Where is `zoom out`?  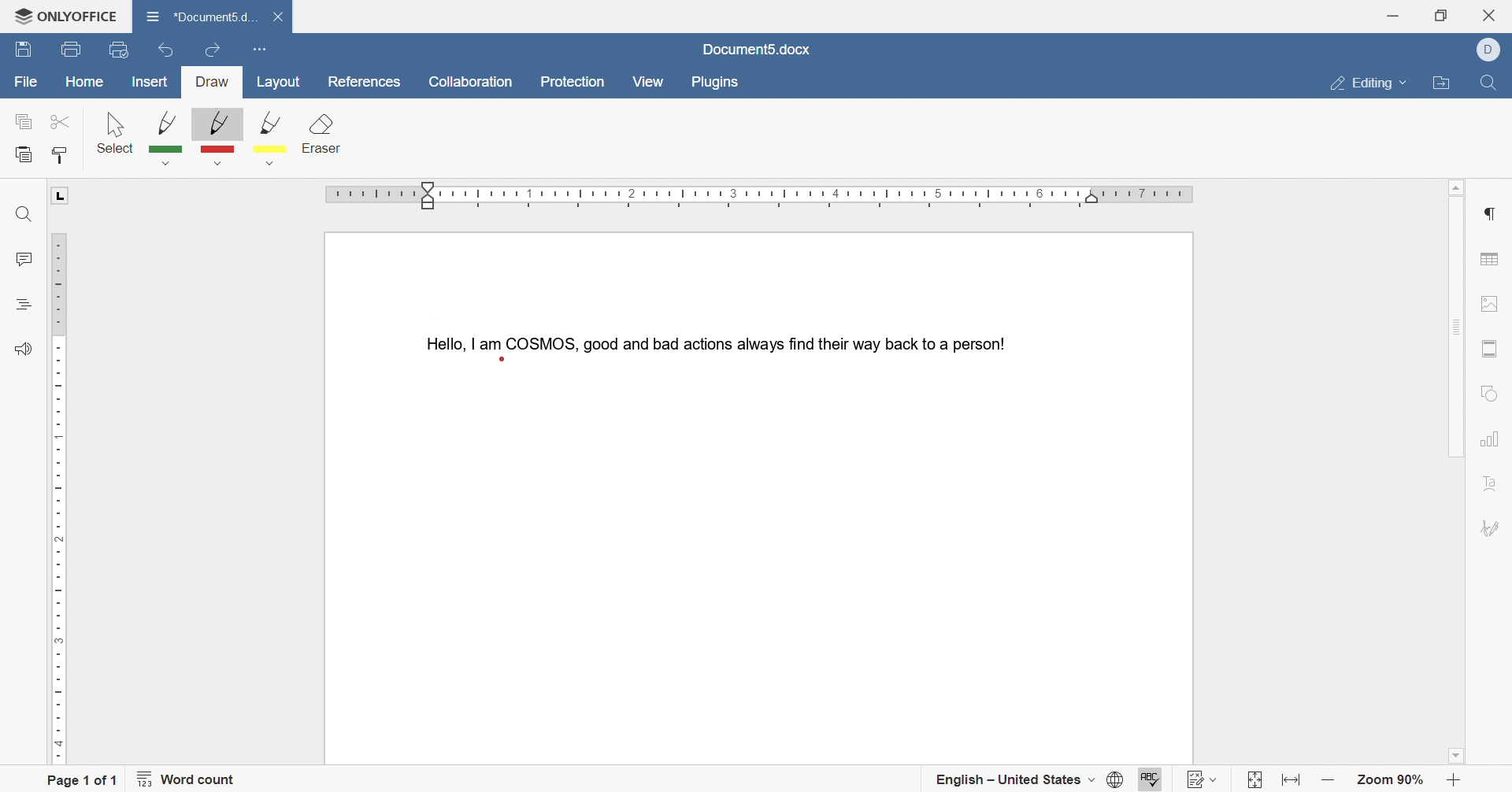
zoom out is located at coordinates (1329, 781).